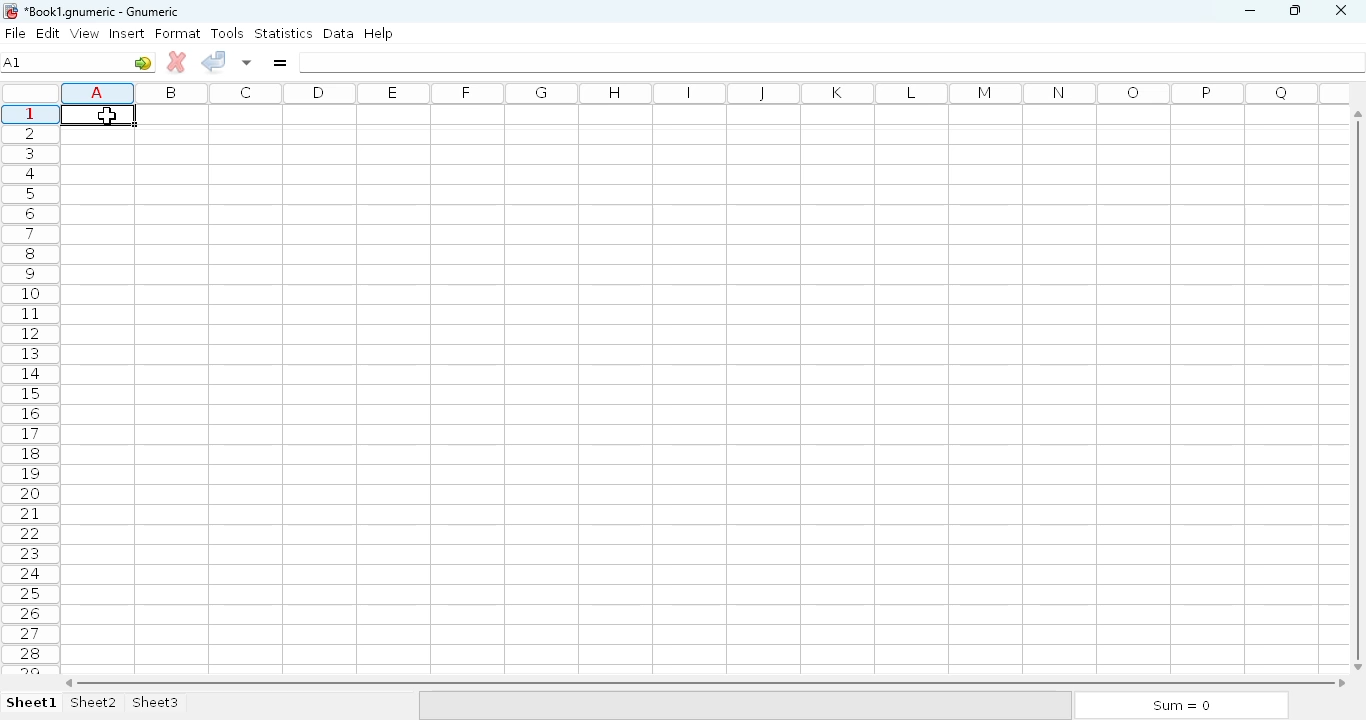  I want to click on statistics, so click(283, 32).